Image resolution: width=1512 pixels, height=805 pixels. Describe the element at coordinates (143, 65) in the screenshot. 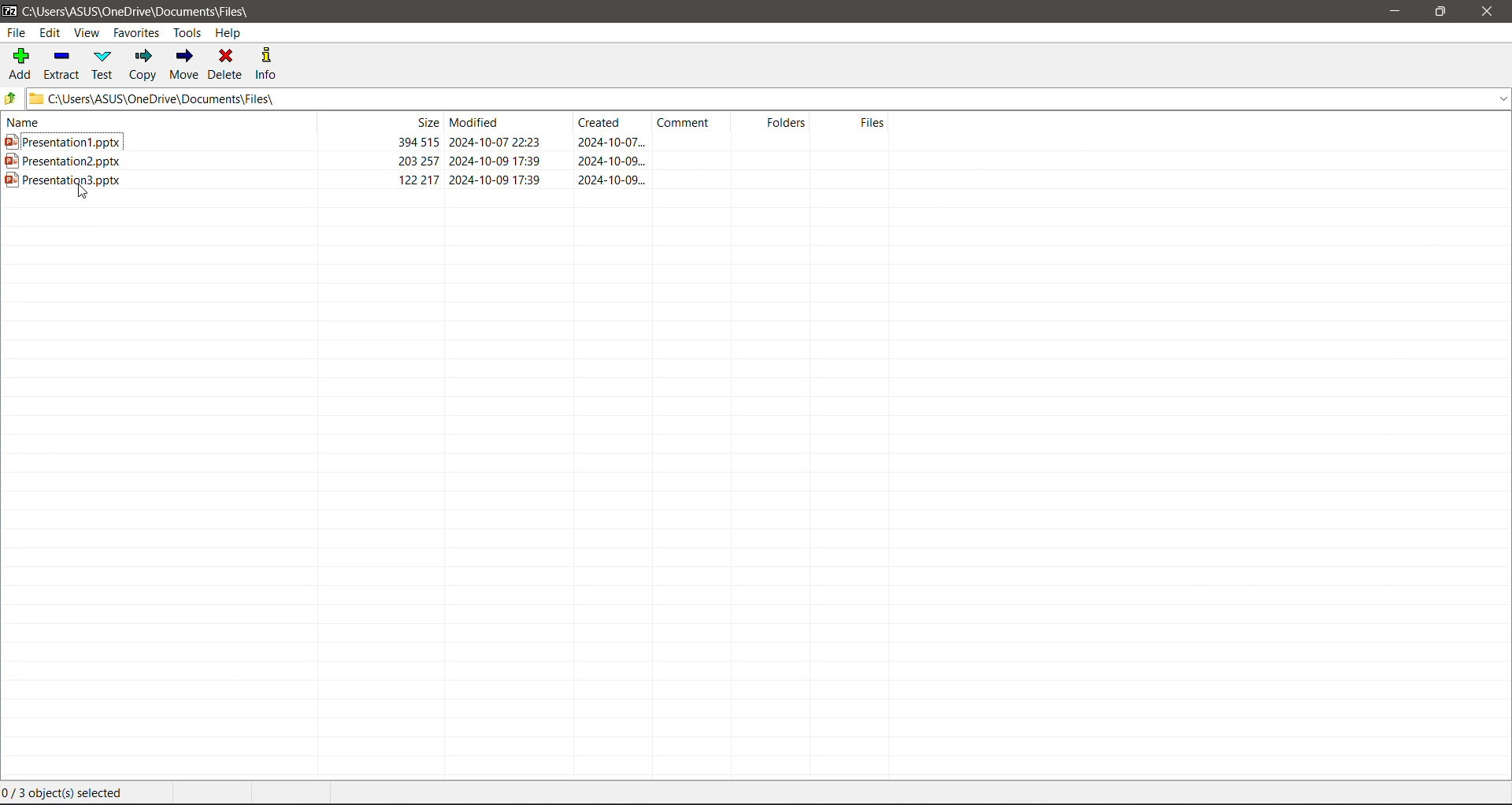

I see `Copy` at that location.